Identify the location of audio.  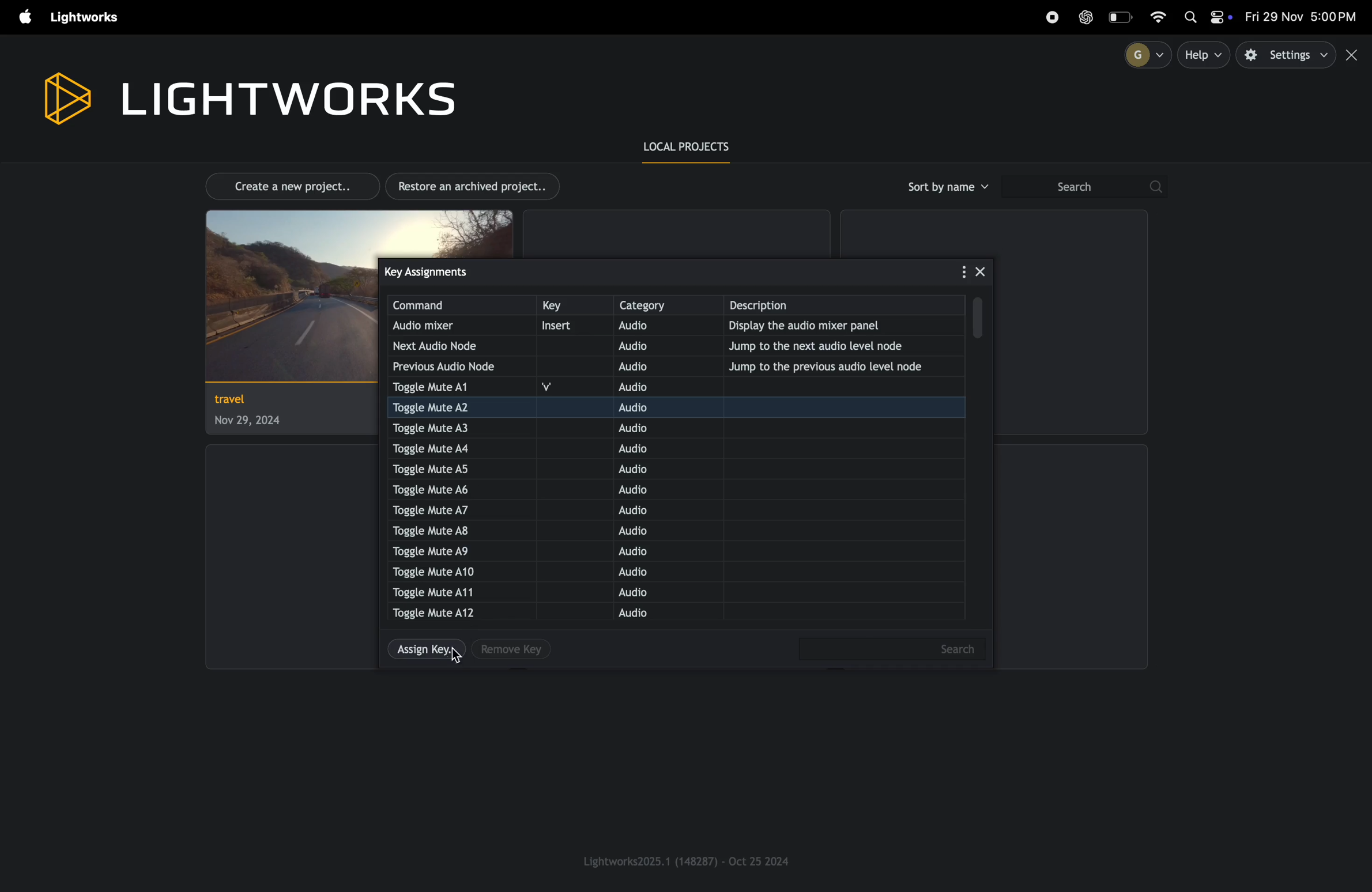
(642, 511).